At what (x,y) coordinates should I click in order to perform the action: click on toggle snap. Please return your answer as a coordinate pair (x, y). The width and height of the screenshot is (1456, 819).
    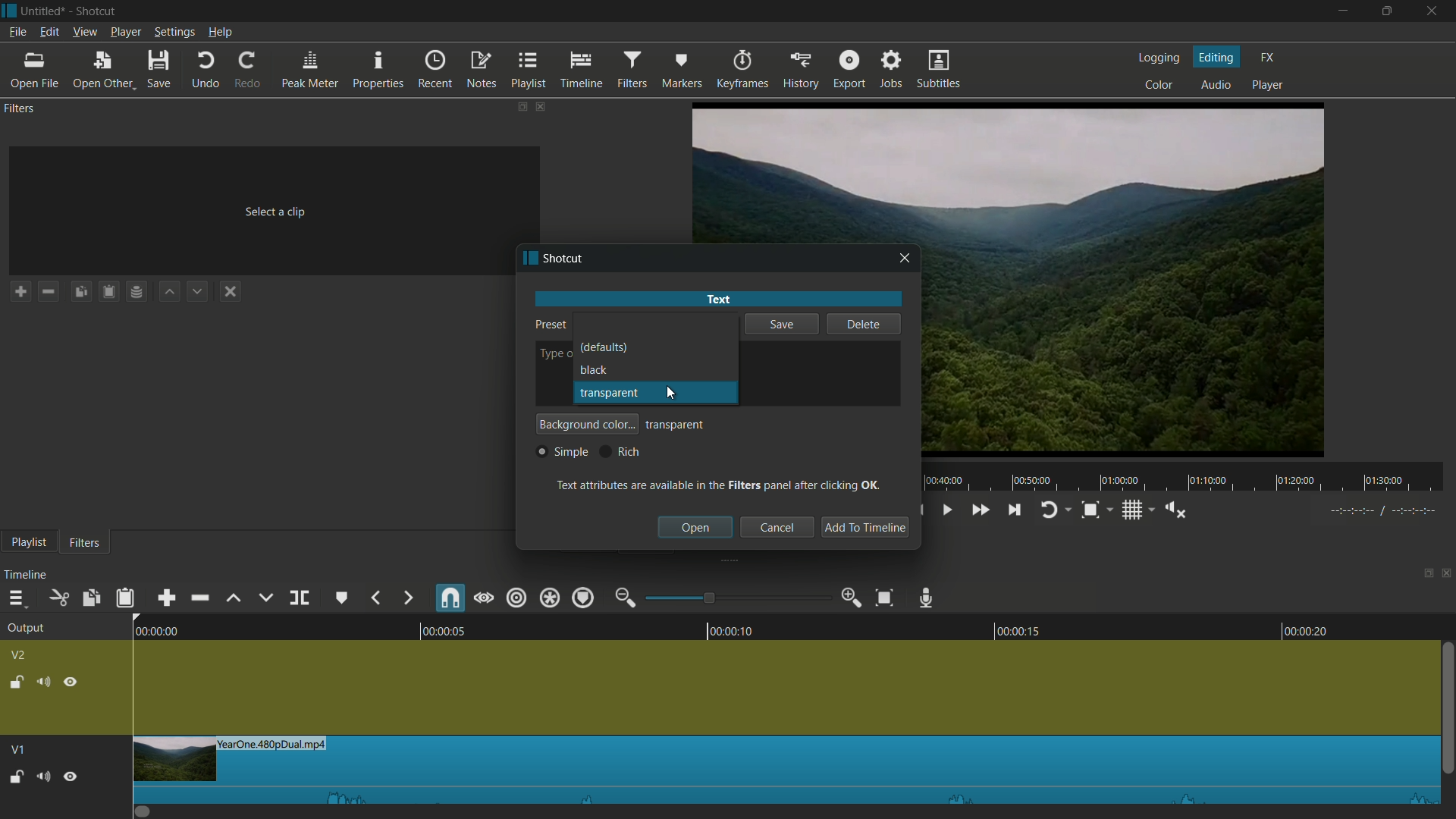
    Looking at the image, I should click on (1090, 510).